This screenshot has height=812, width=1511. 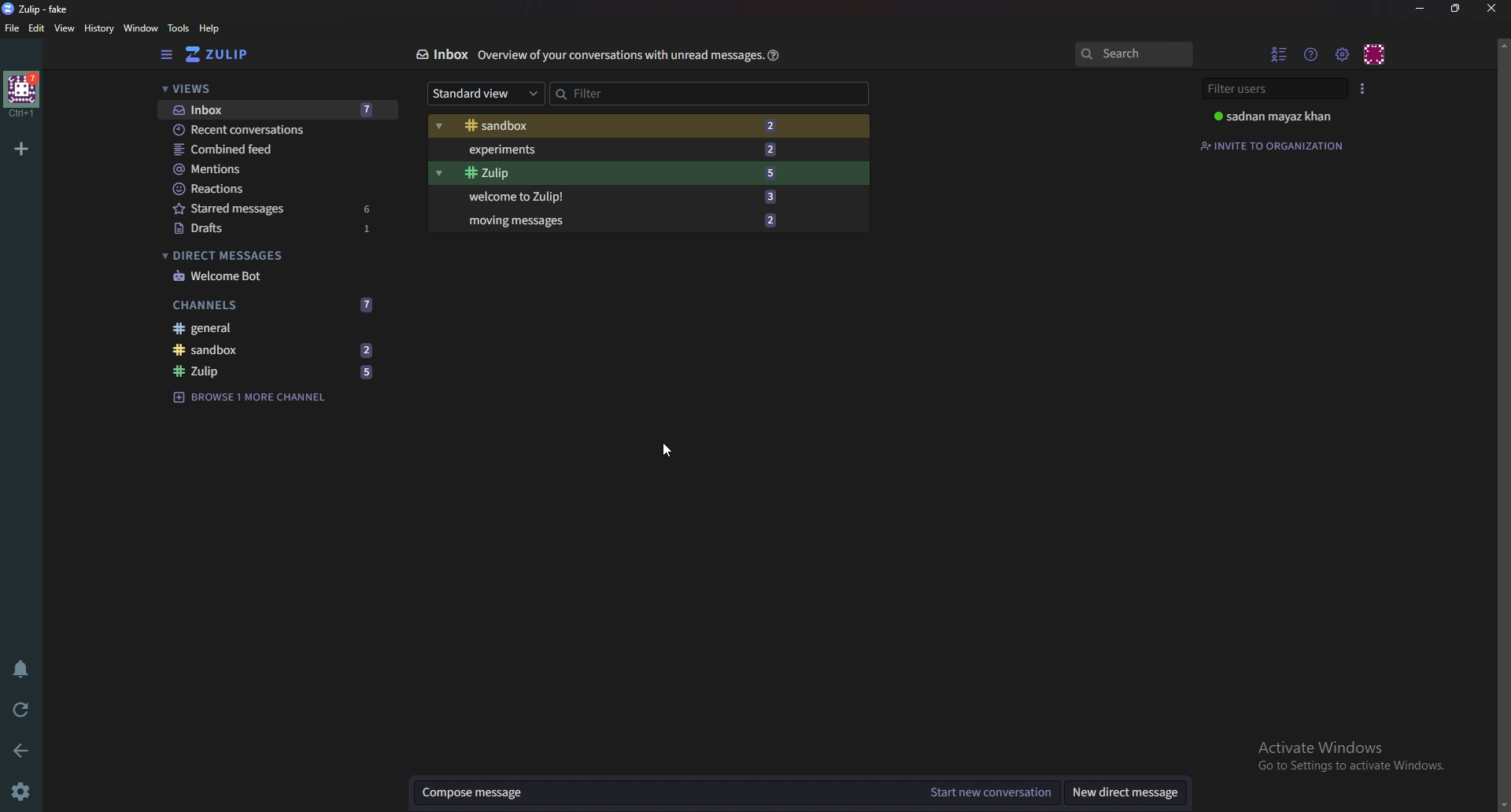 I want to click on General, so click(x=279, y=327).